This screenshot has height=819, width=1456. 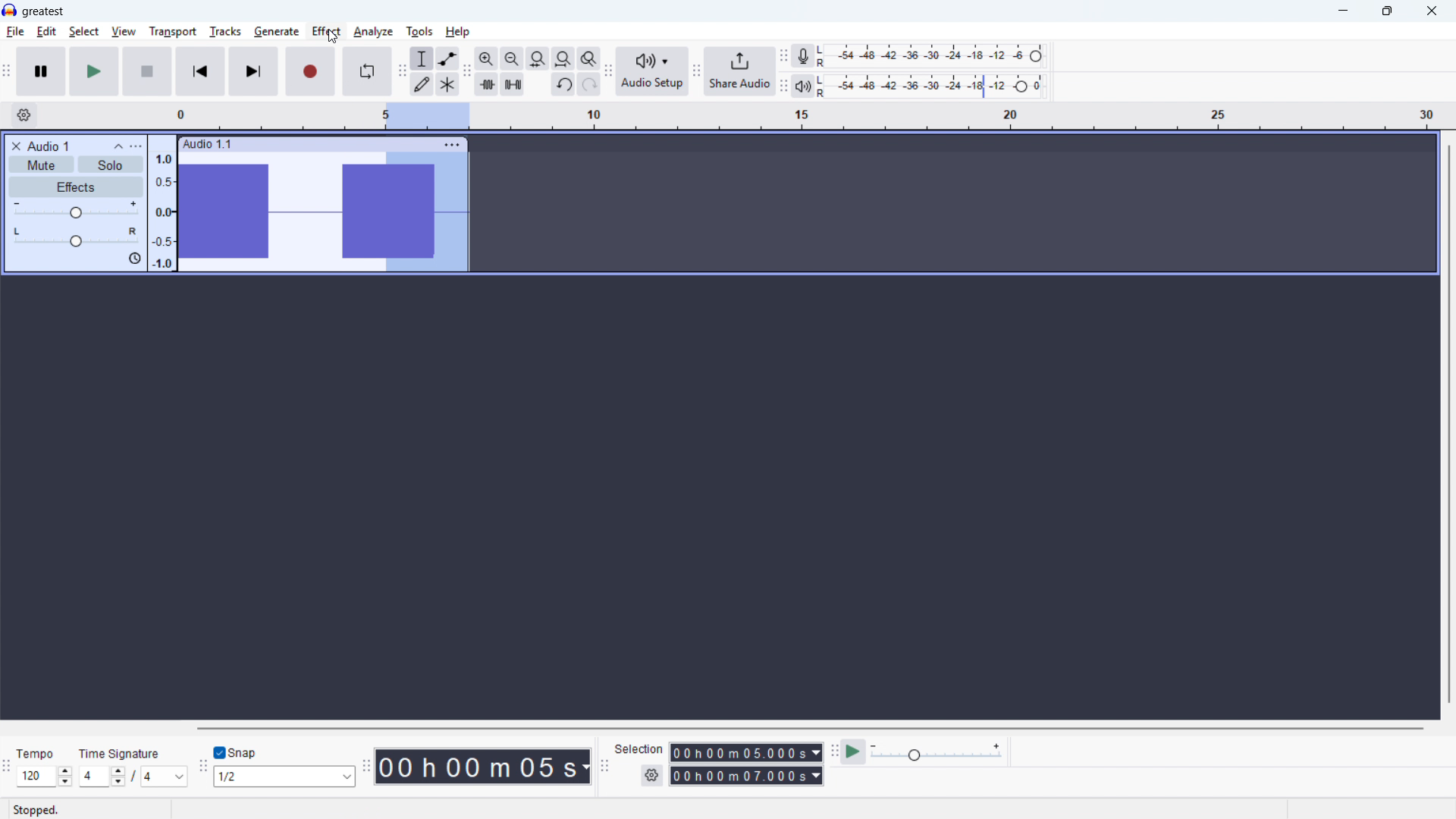 I want to click on Time signature toolbar , so click(x=8, y=770).